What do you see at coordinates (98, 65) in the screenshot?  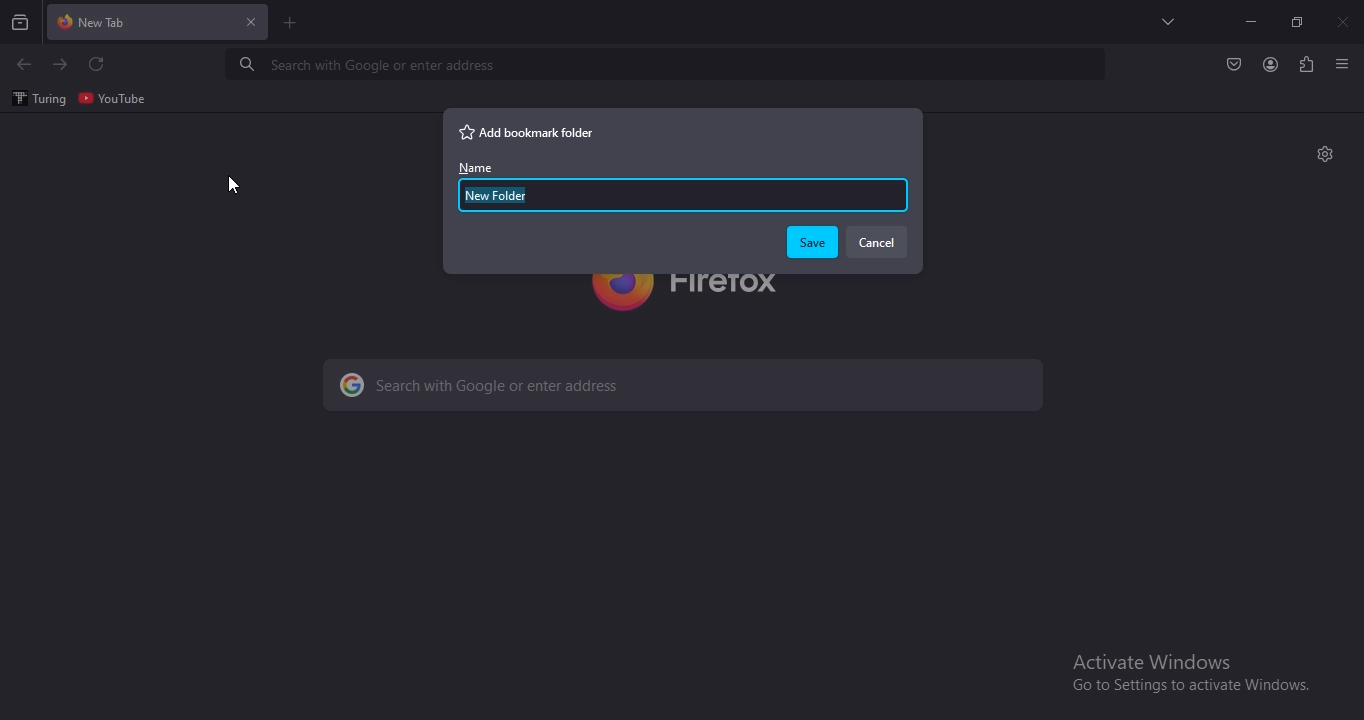 I see `refresh` at bounding box center [98, 65].